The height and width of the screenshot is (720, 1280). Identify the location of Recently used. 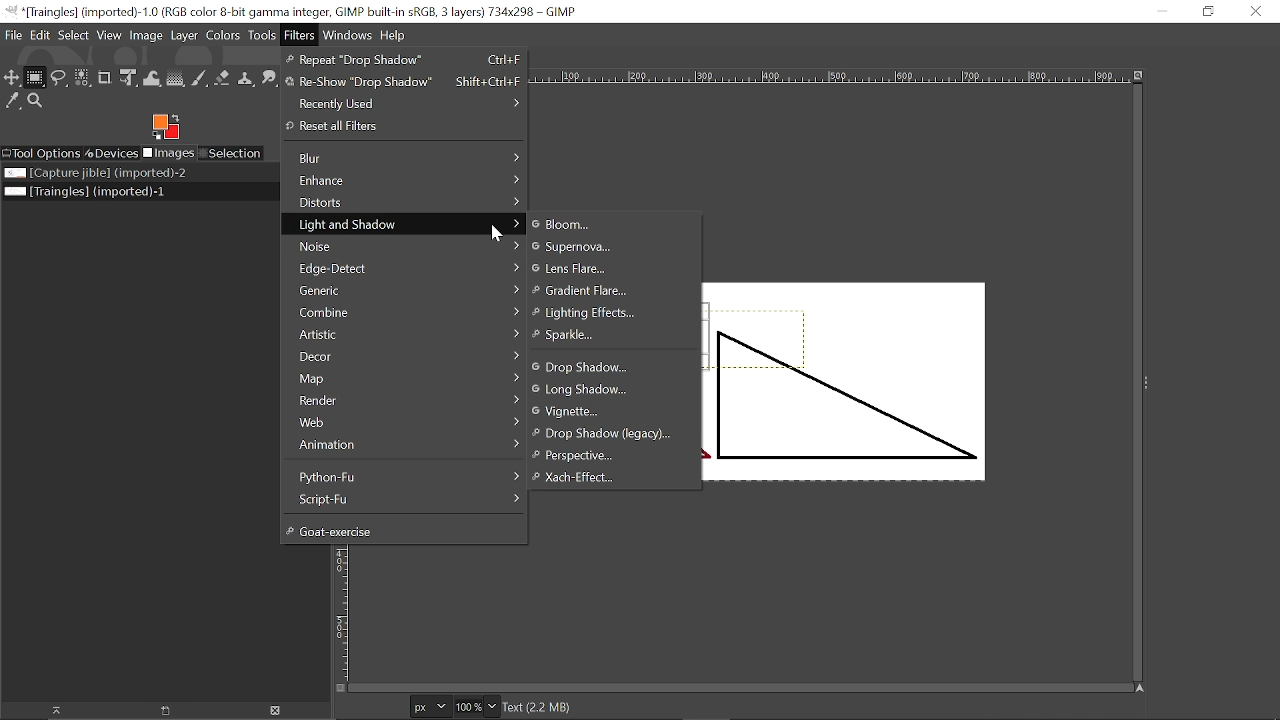
(369, 107).